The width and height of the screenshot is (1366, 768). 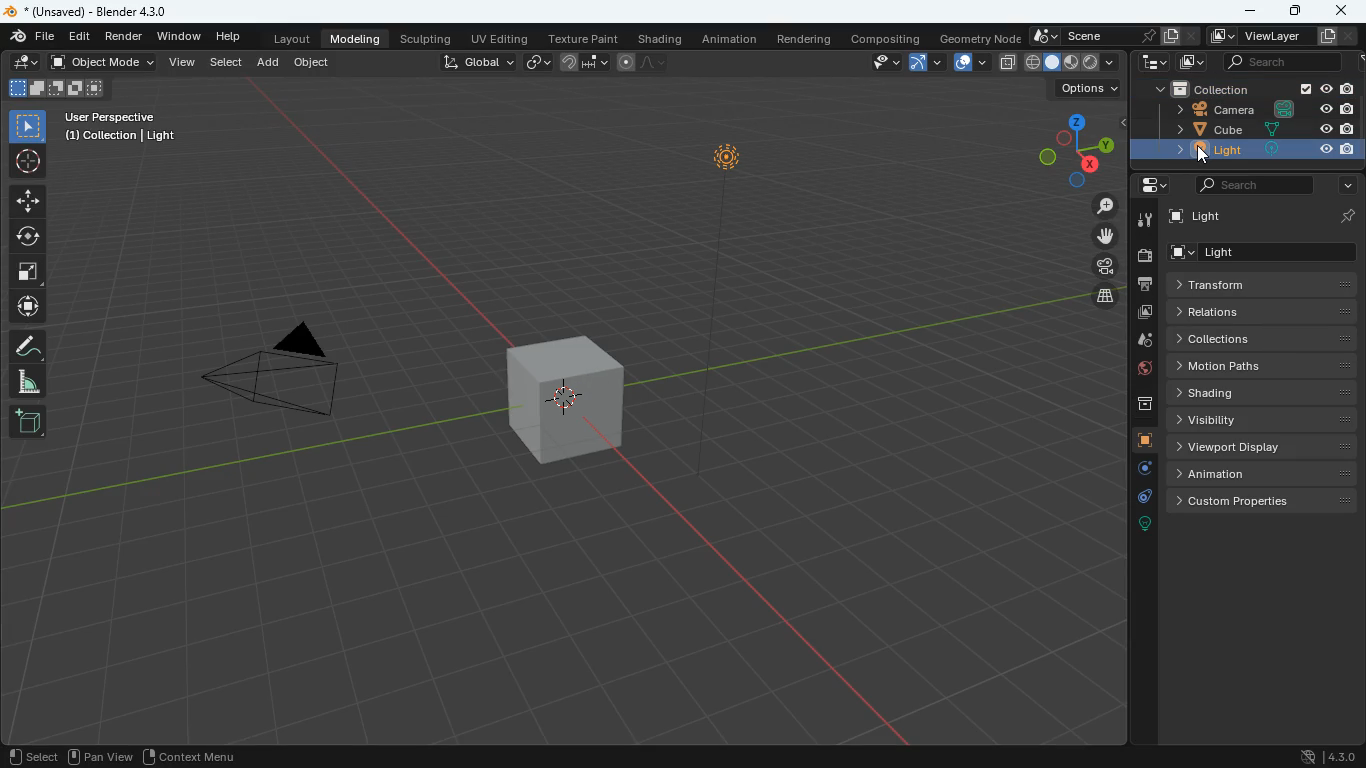 I want to click on motion paths, so click(x=1264, y=367).